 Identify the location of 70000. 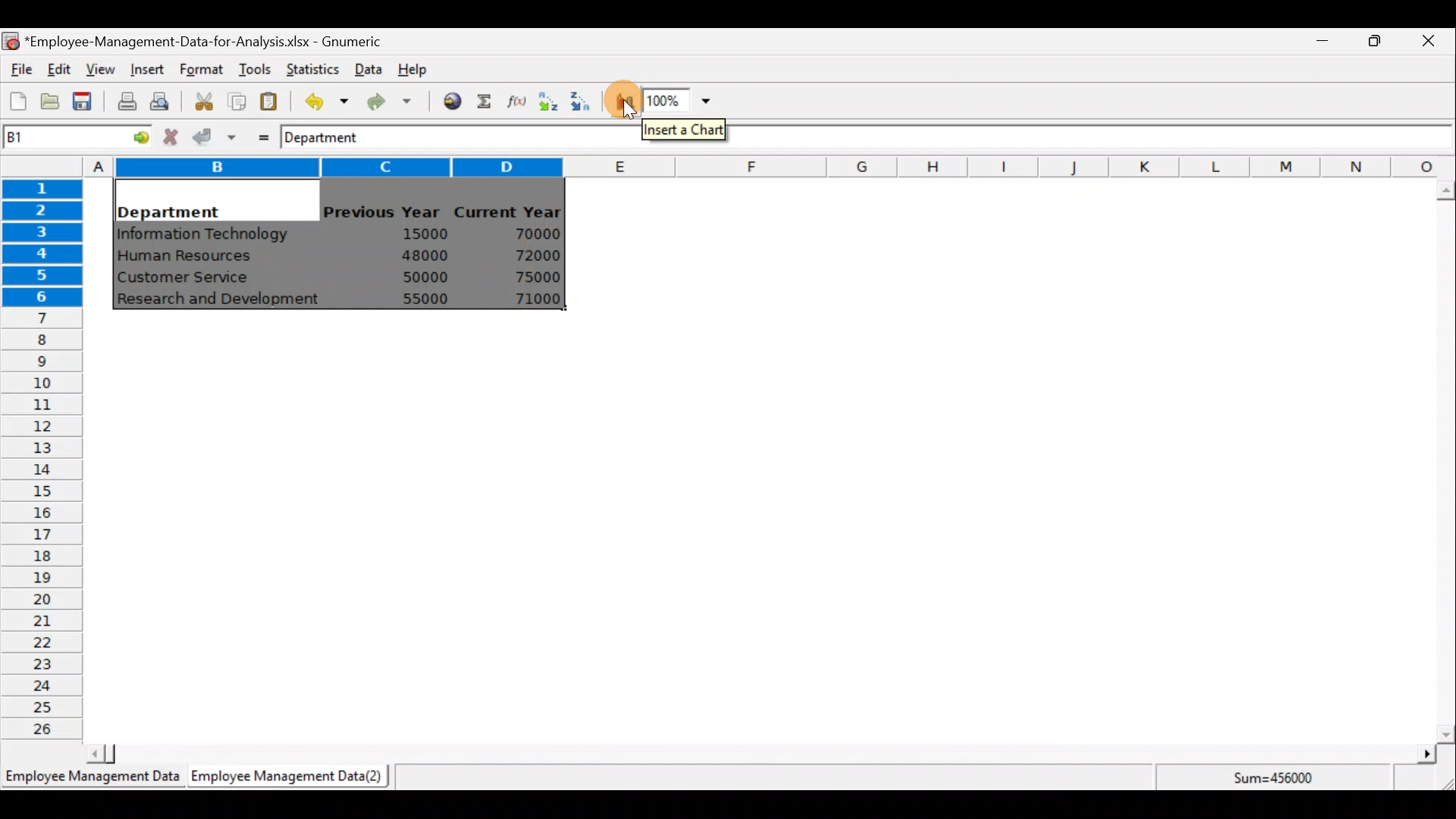
(532, 234).